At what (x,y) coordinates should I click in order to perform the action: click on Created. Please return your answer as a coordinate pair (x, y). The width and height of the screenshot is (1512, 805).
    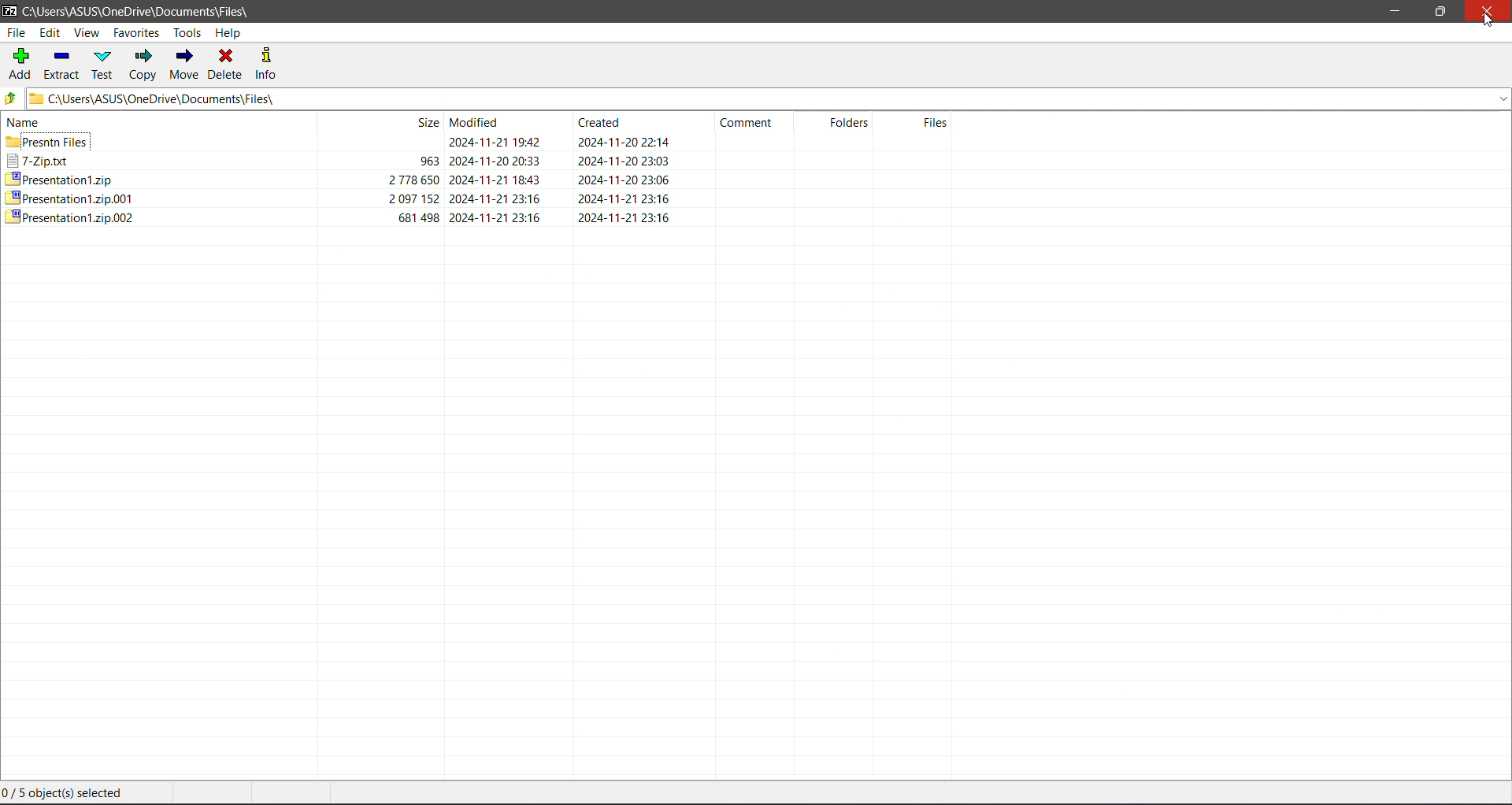
    Looking at the image, I should click on (602, 124).